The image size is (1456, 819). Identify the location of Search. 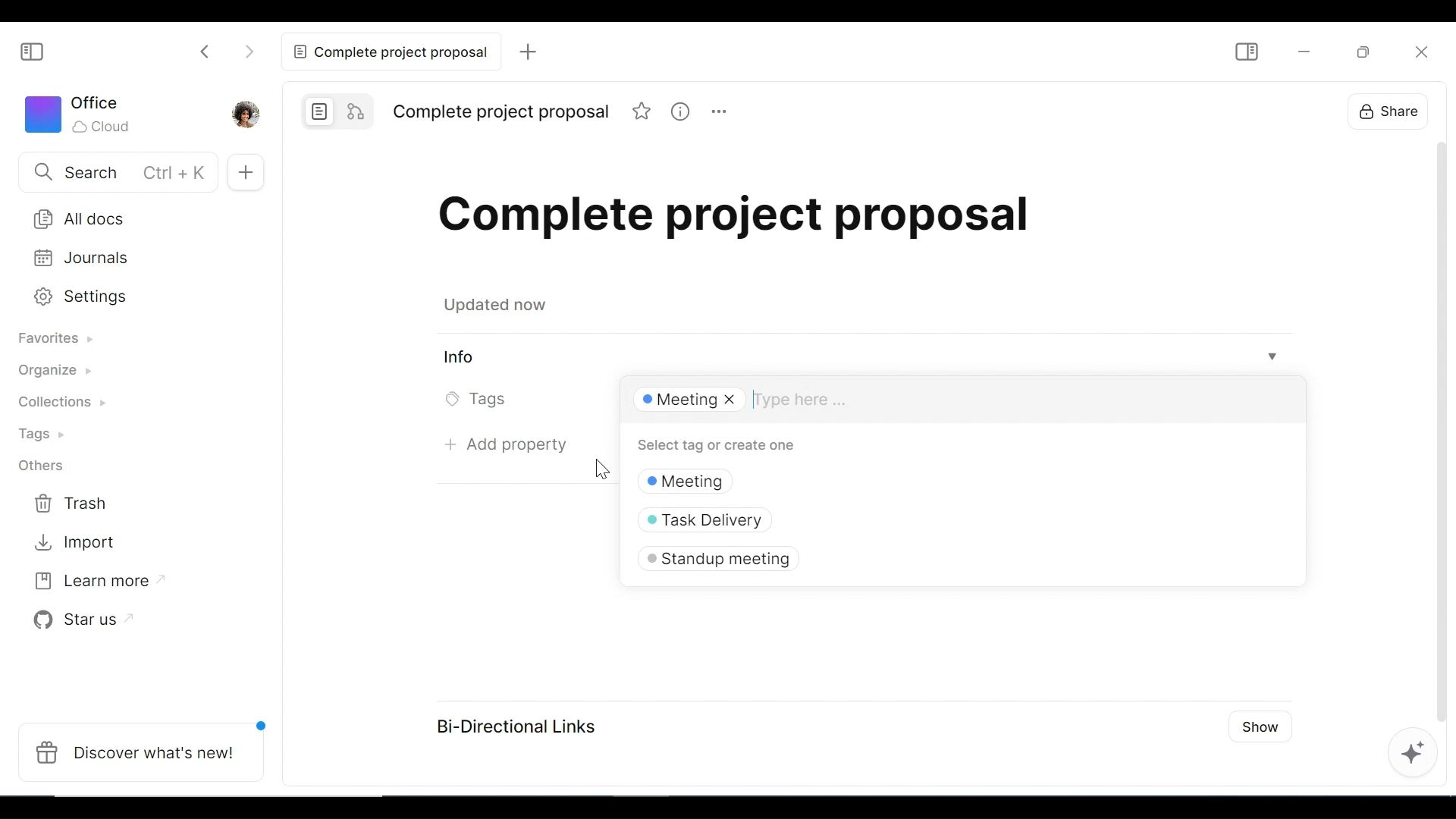
(115, 173).